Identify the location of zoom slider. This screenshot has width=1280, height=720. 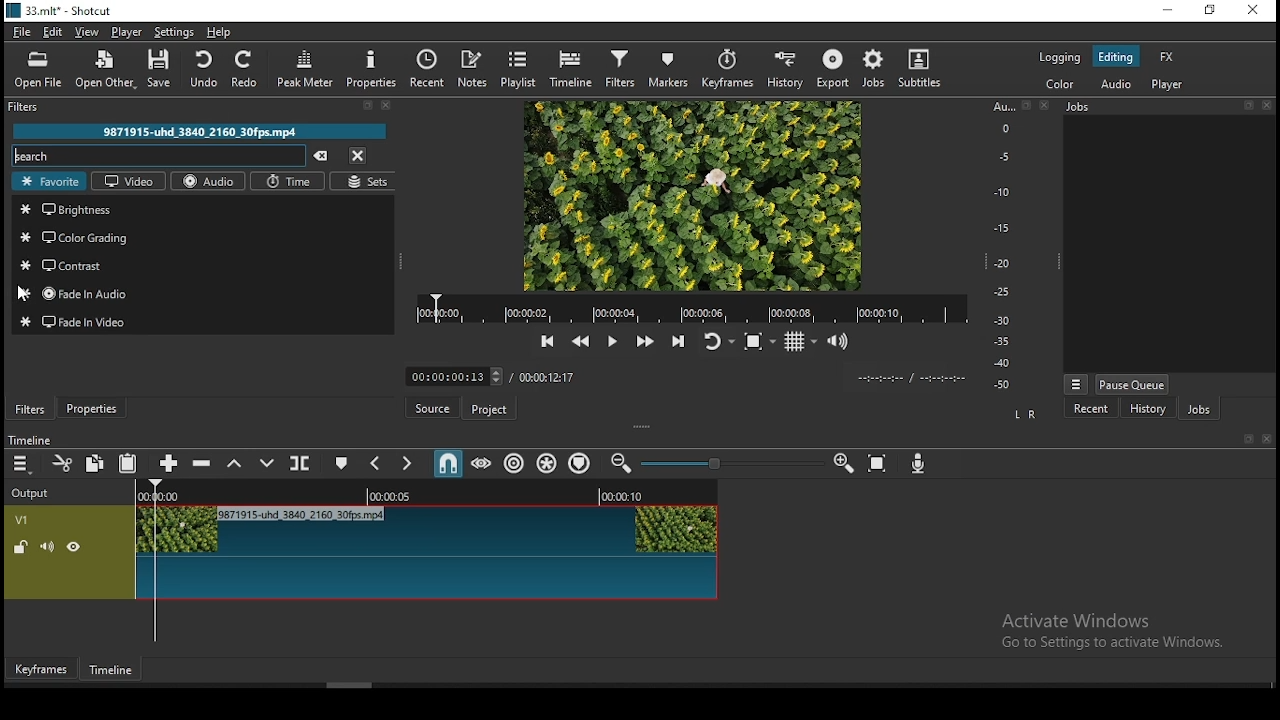
(731, 463).